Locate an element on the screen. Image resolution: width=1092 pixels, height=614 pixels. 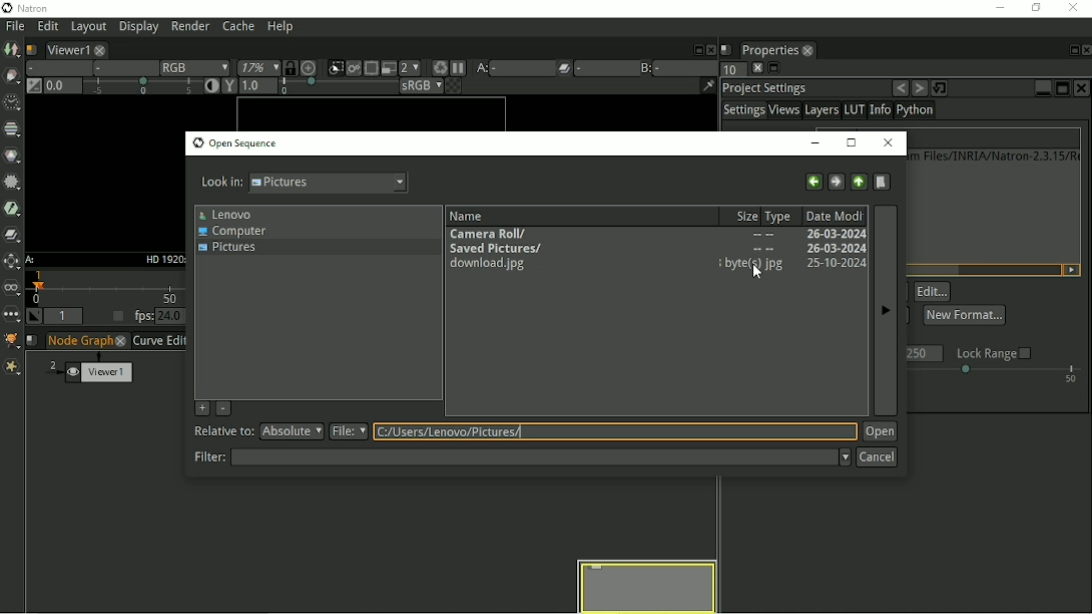
Cache is located at coordinates (237, 27).